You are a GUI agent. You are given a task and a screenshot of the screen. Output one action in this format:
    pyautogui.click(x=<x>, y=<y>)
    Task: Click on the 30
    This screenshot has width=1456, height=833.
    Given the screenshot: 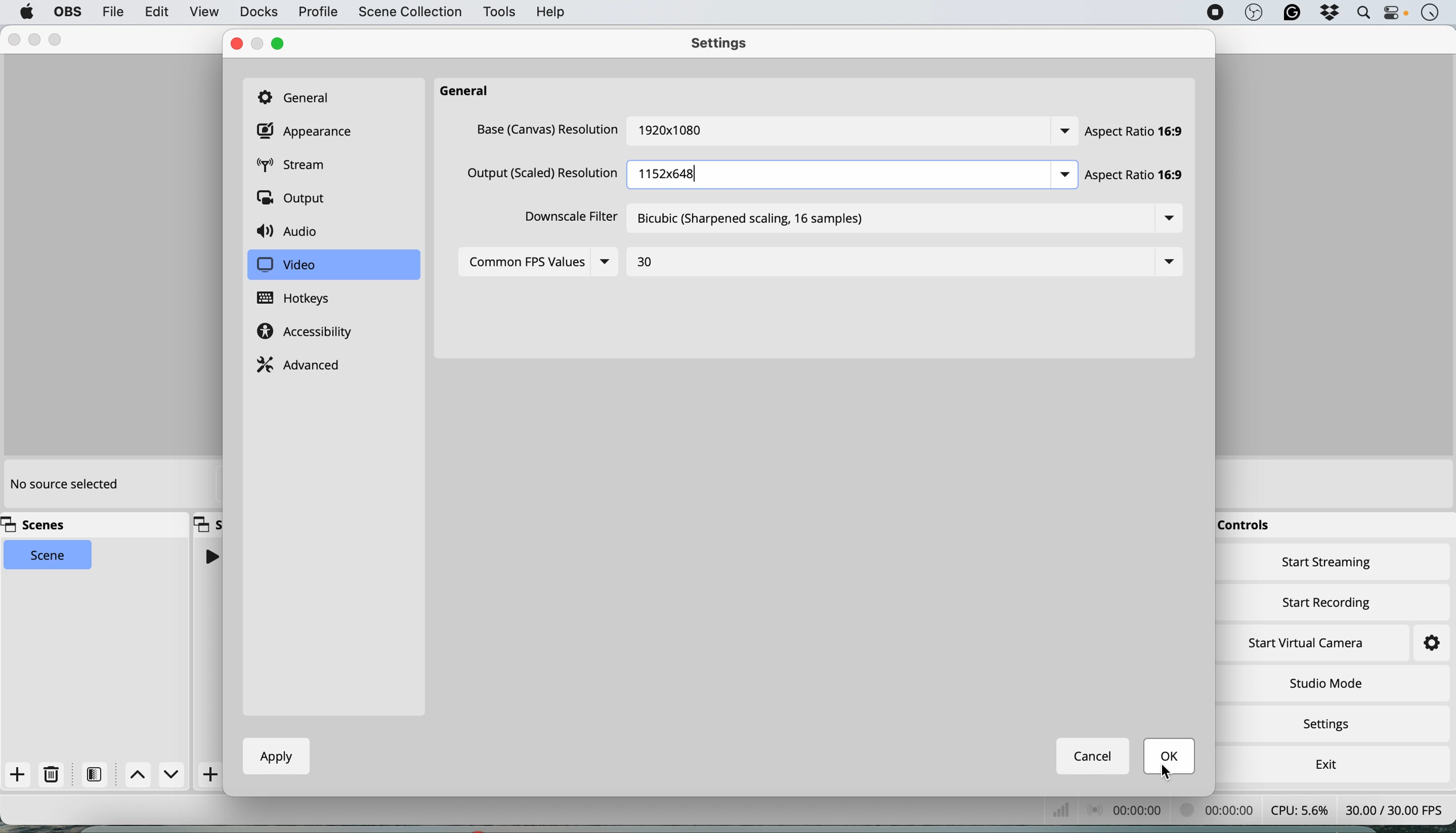 What is the action you would take?
    pyautogui.click(x=647, y=265)
    